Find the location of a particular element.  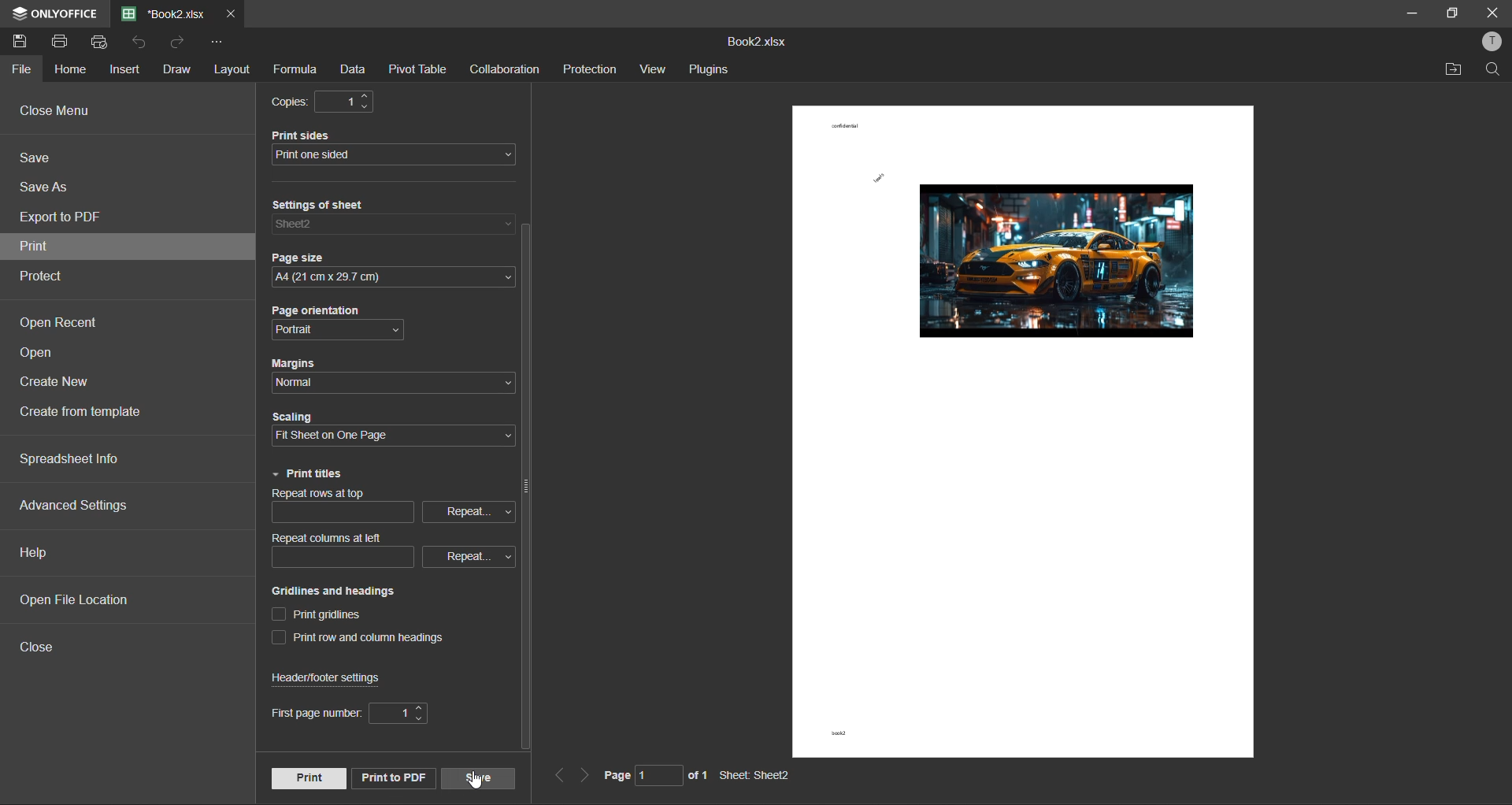

lewis is located at coordinates (877, 178).